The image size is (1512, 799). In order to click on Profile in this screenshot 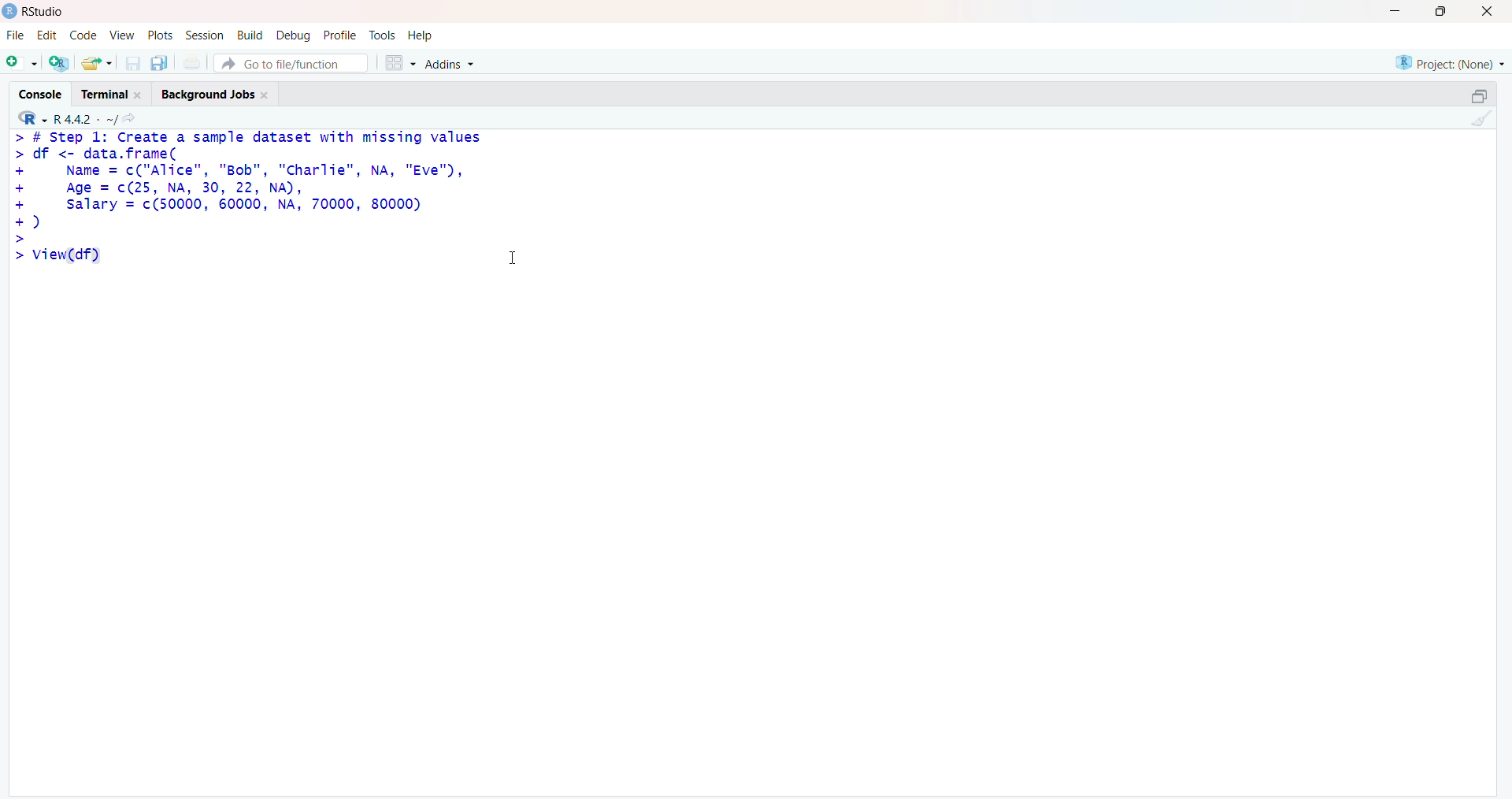, I will do `click(341, 34)`.